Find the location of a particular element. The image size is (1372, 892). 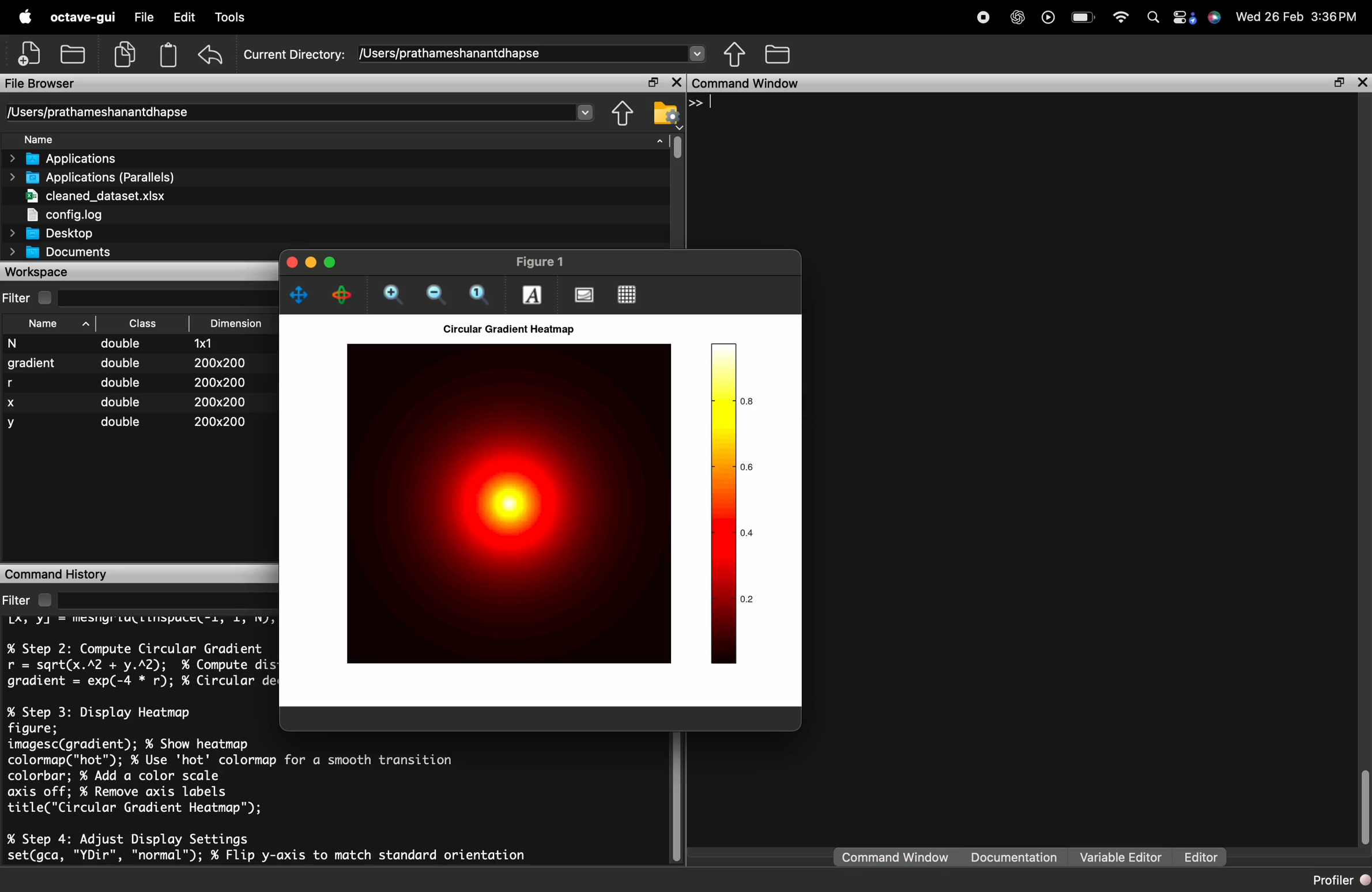

One directory up is located at coordinates (777, 55).